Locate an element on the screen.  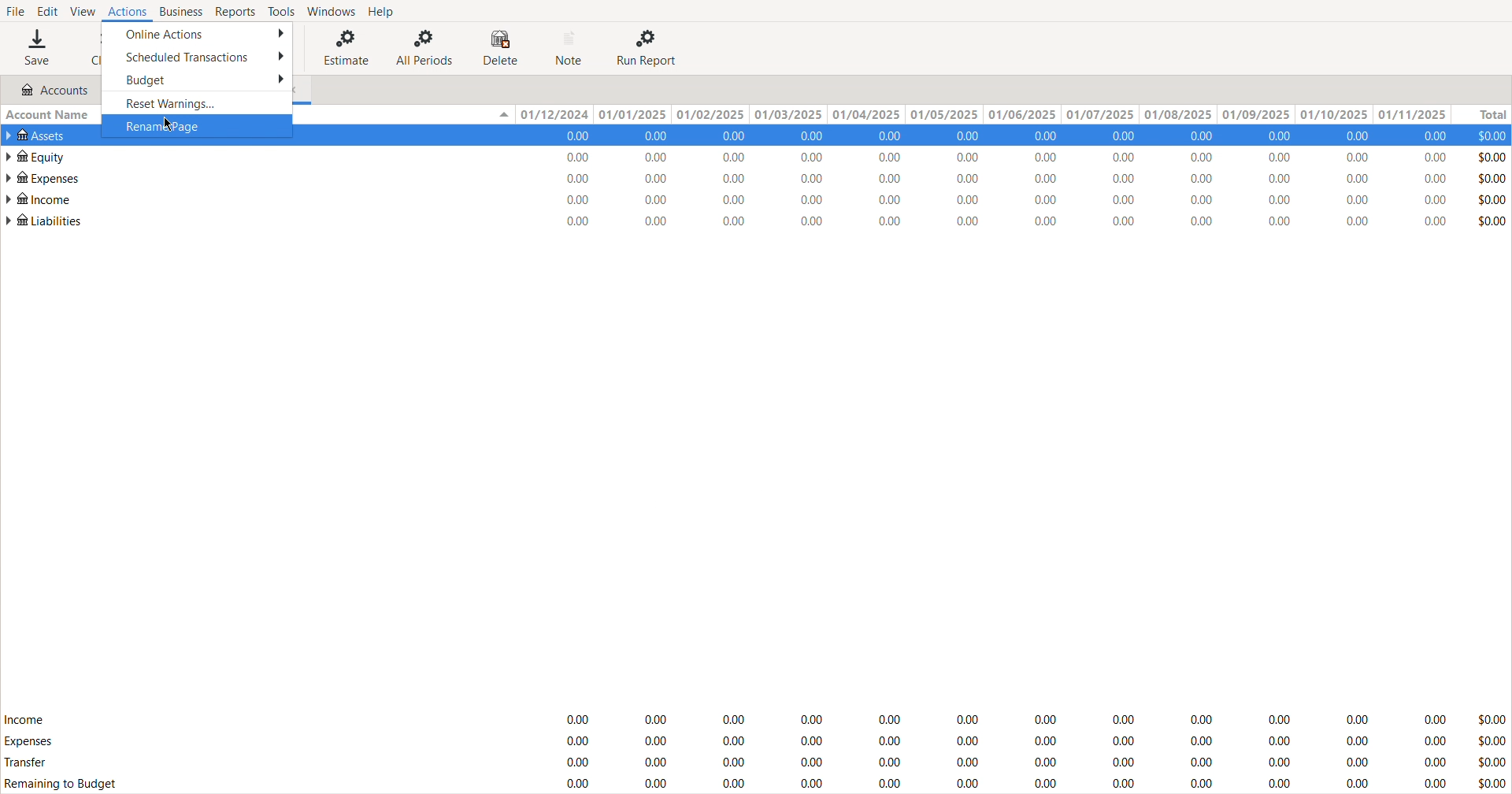
Remaining to Budget is located at coordinates (63, 785).